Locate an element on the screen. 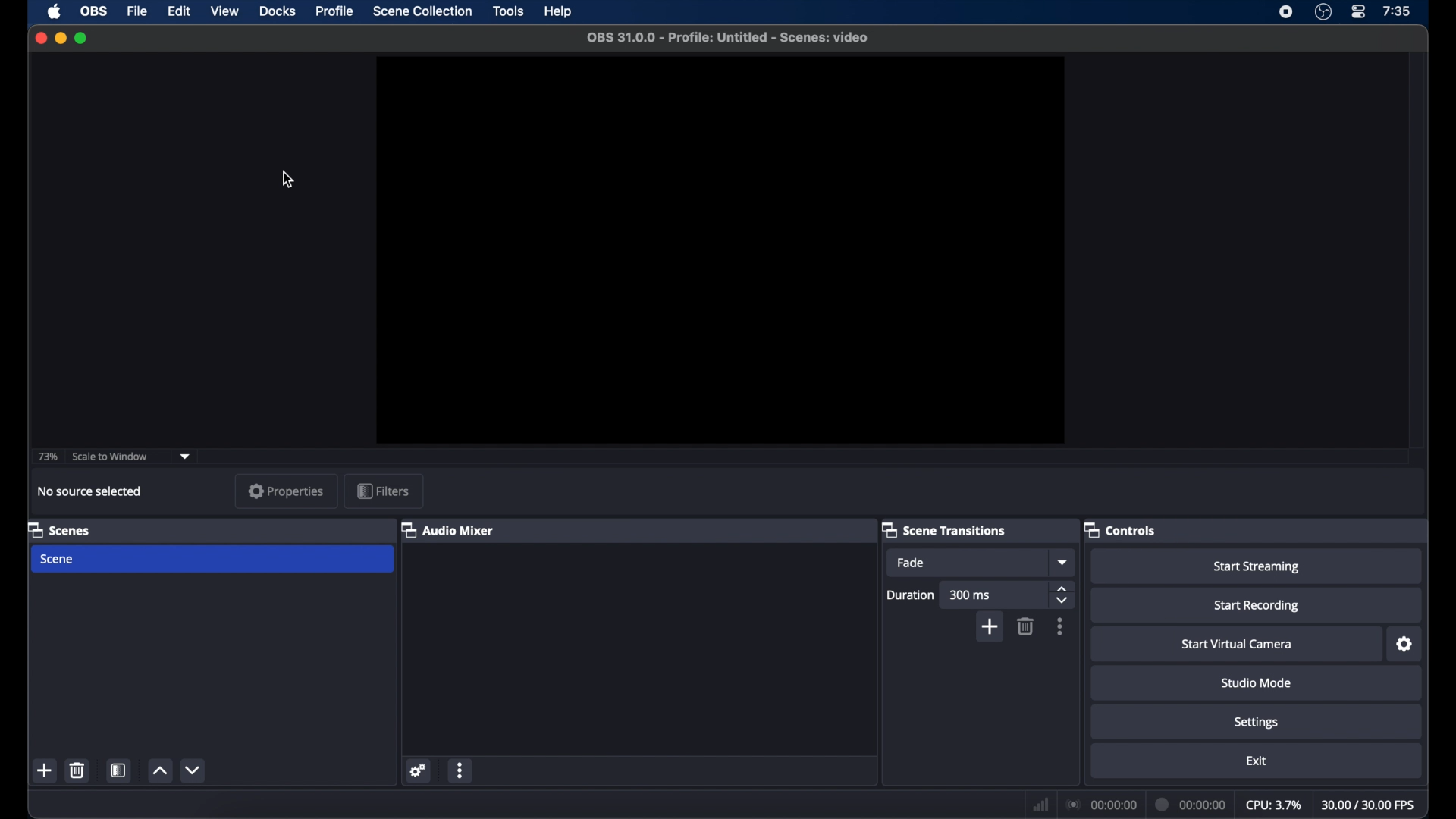 The image size is (1456, 819). scene is located at coordinates (213, 560).